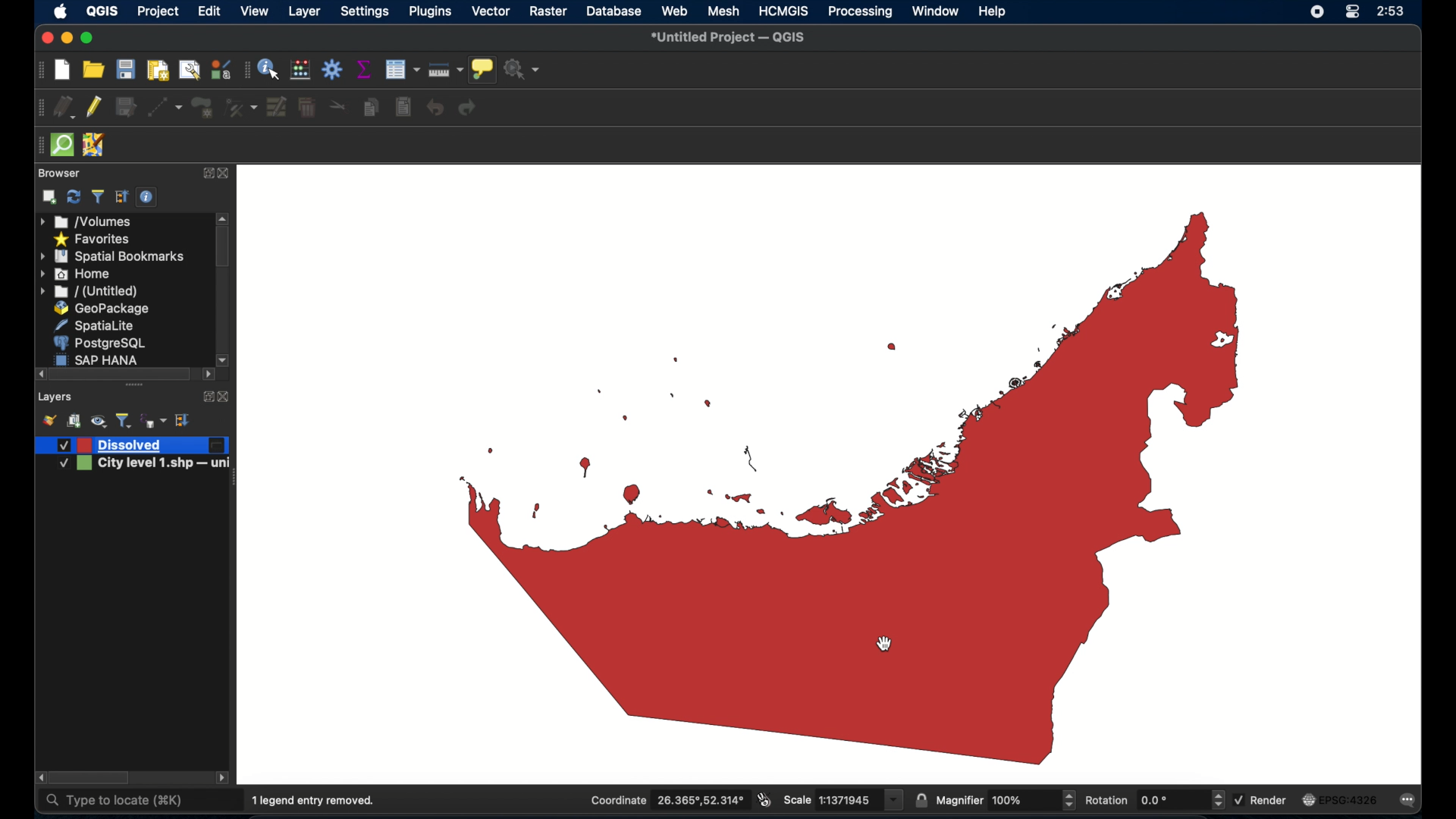 The width and height of the screenshot is (1456, 819). What do you see at coordinates (204, 395) in the screenshot?
I see `expand` at bounding box center [204, 395].